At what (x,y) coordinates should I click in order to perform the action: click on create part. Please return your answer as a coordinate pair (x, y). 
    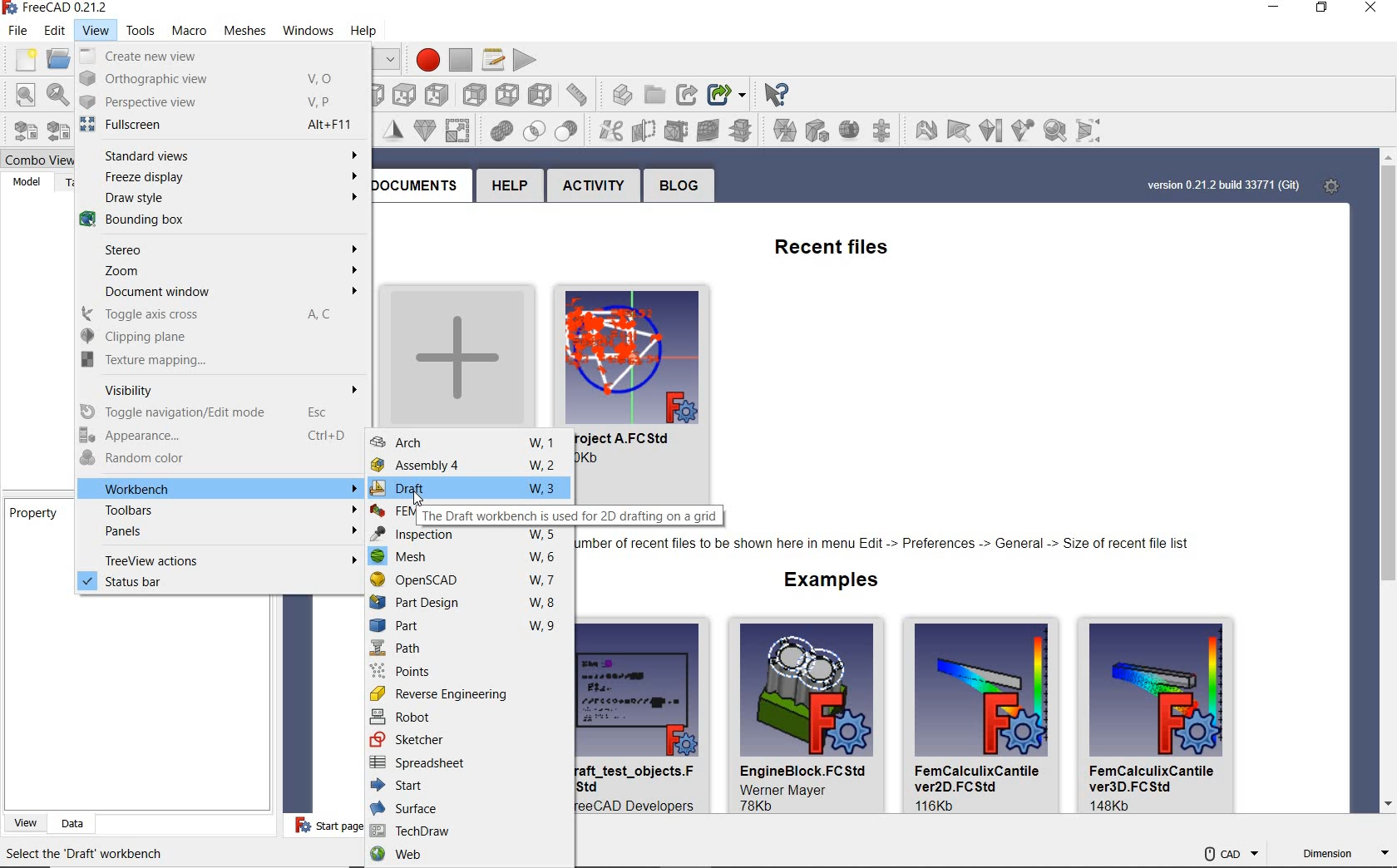
    Looking at the image, I should click on (586, 94).